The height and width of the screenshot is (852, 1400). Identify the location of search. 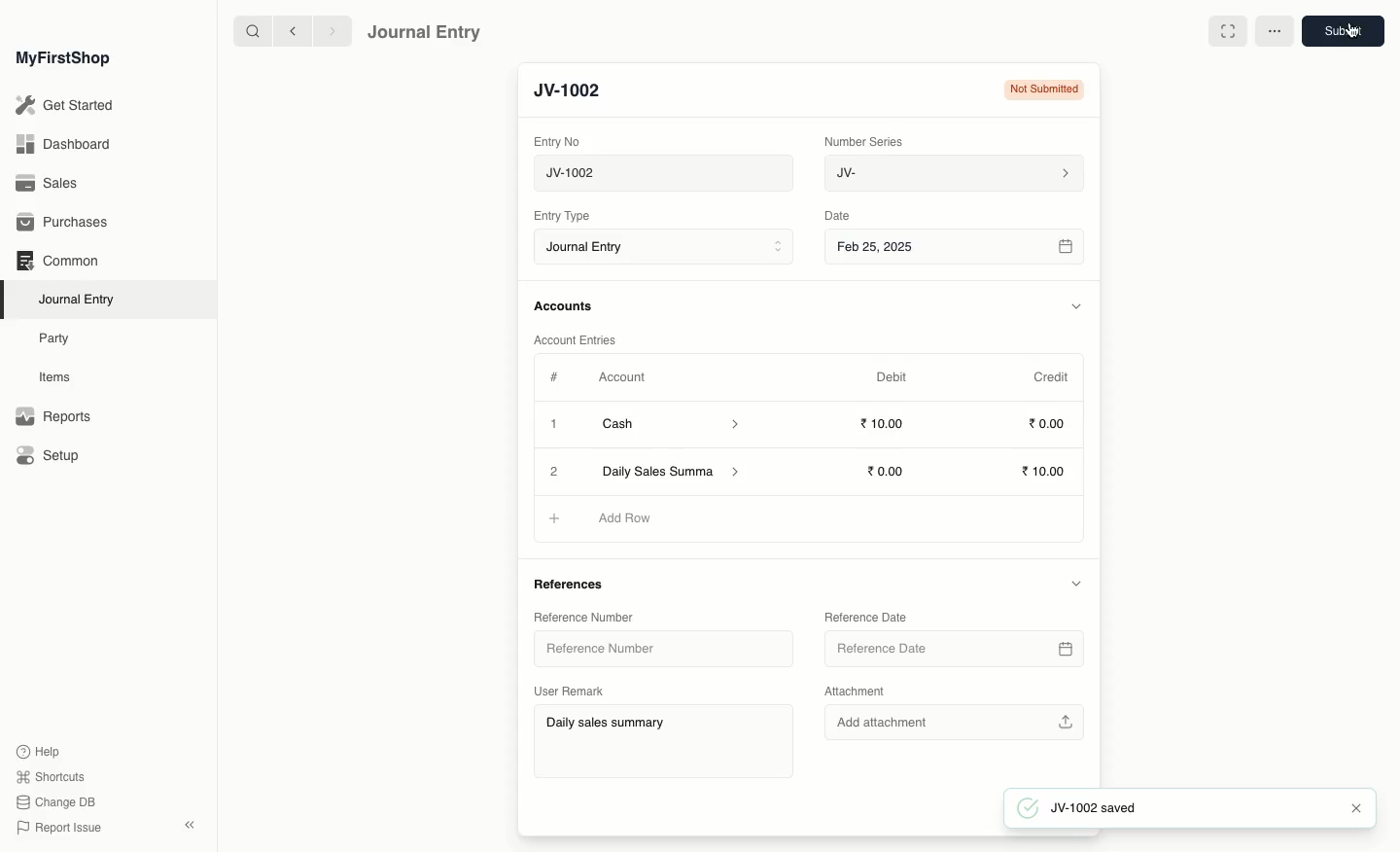
(248, 31).